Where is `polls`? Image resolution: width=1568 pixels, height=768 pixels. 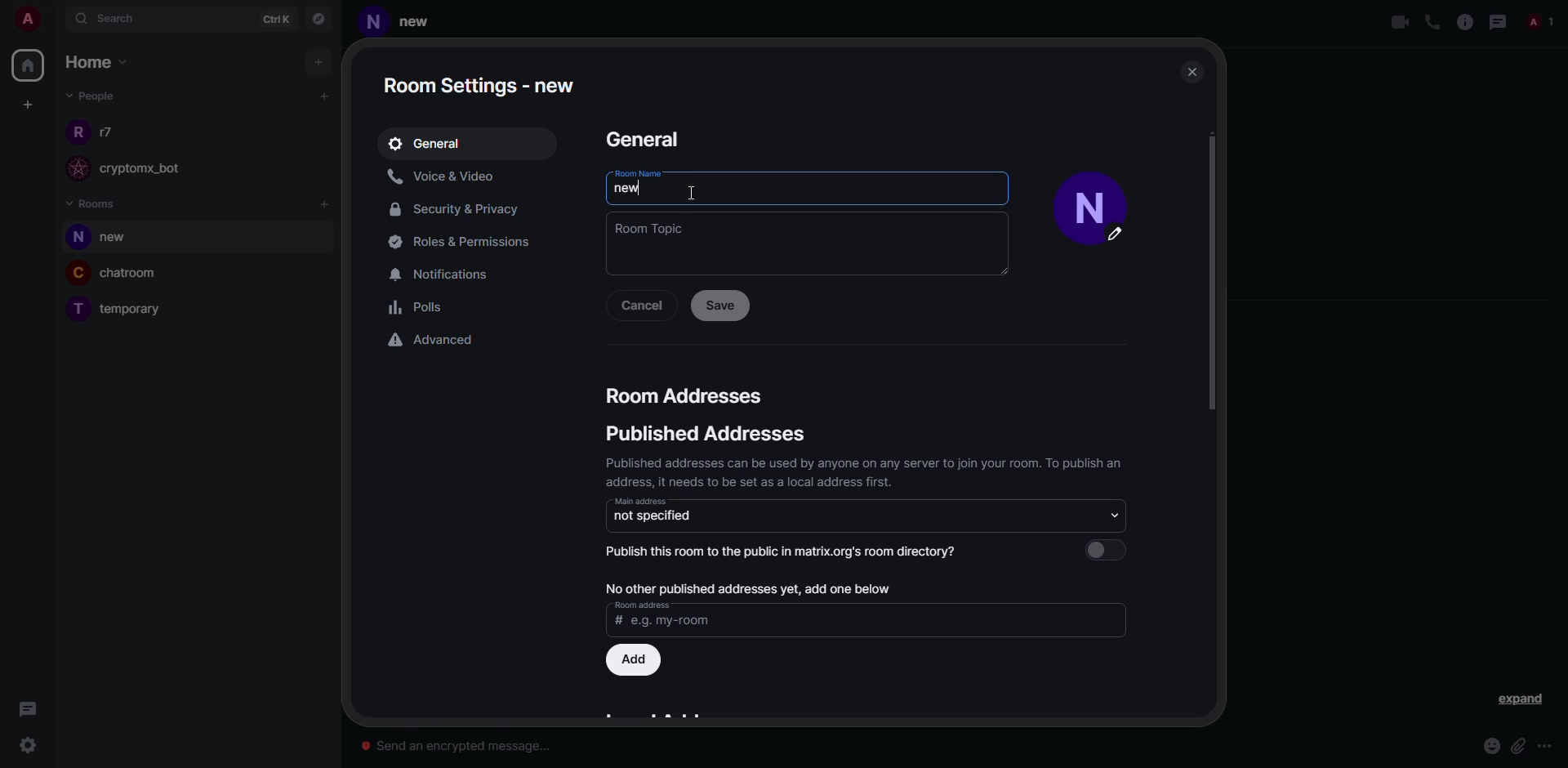 polls is located at coordinates (420, 310).